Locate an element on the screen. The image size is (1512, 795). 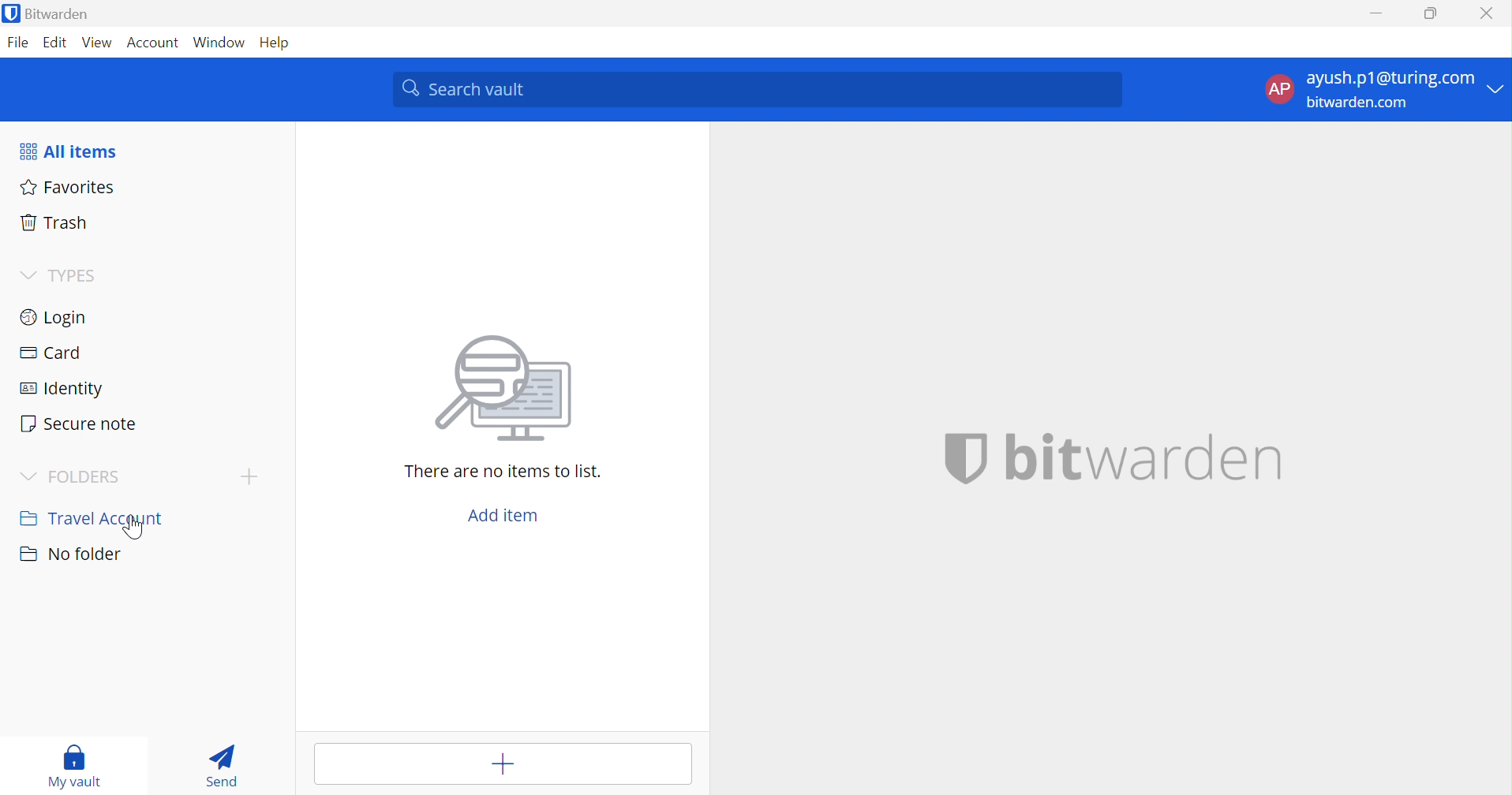
Bitwarden is located at coordinates (51, 14).